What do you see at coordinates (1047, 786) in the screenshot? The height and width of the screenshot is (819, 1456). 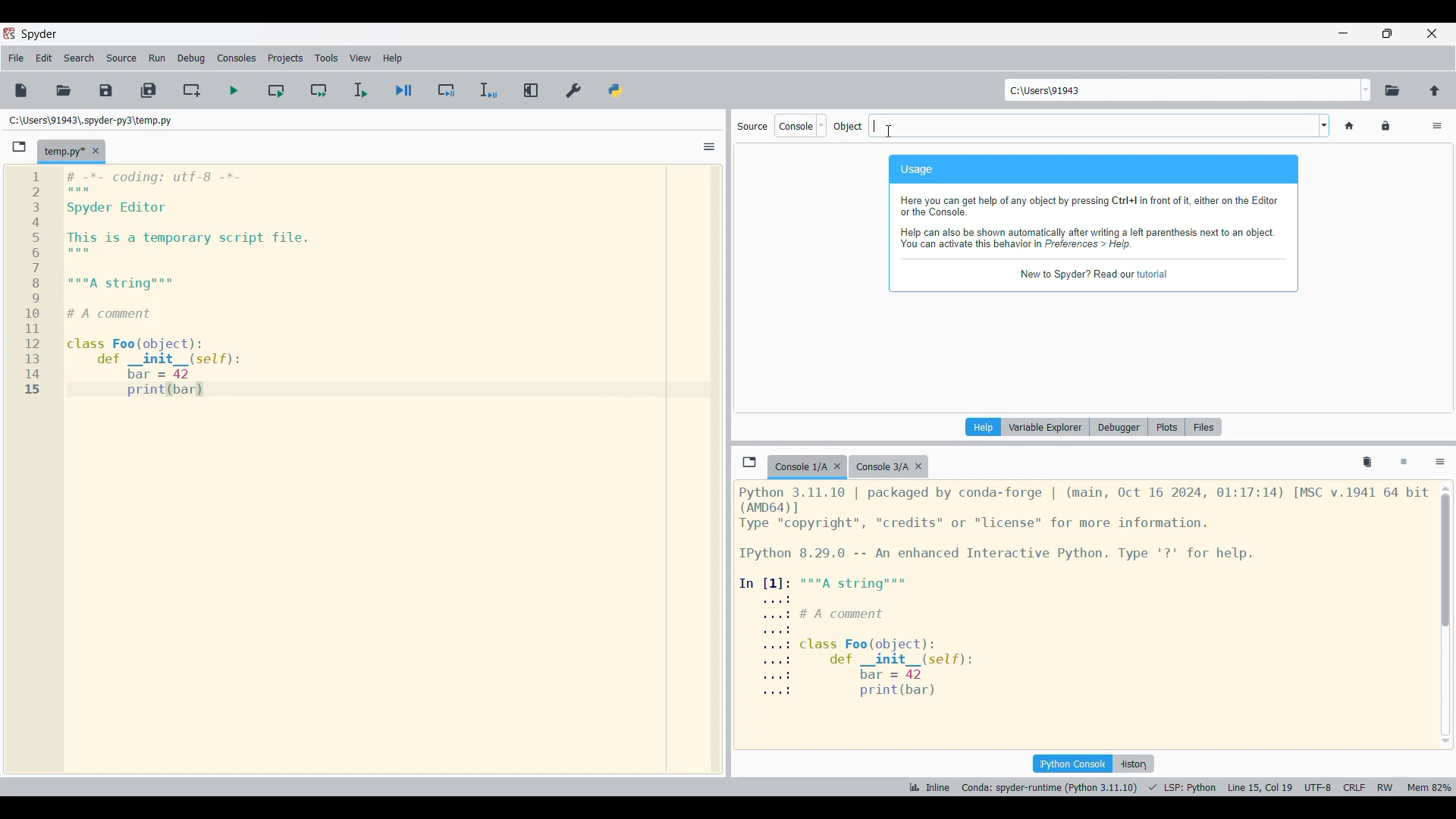 I see `Canada: spyder-runtime (Python 3.11.10)` at bounding box center [1047, 786].